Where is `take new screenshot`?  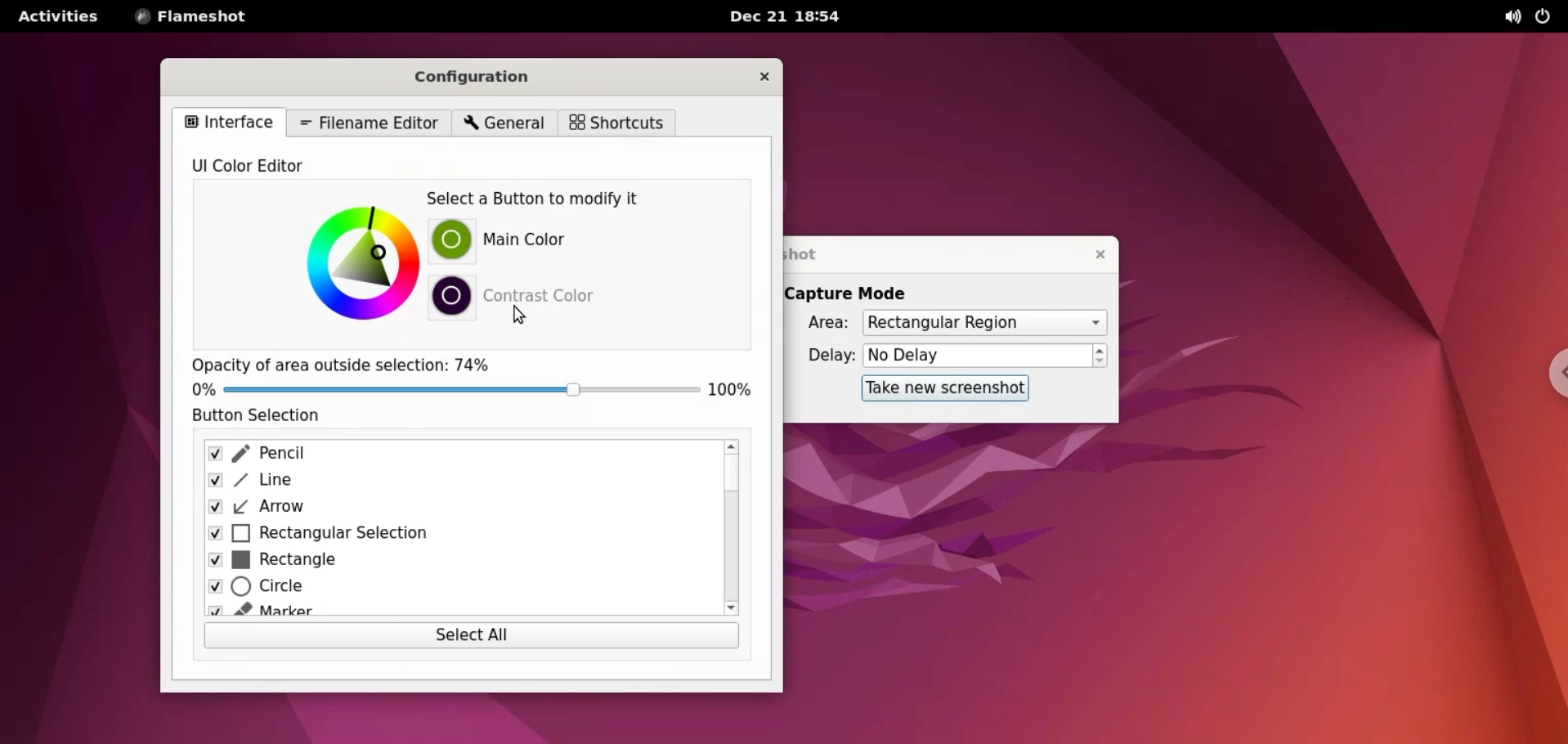
take new screenshot is located at coordinates (943, 388).